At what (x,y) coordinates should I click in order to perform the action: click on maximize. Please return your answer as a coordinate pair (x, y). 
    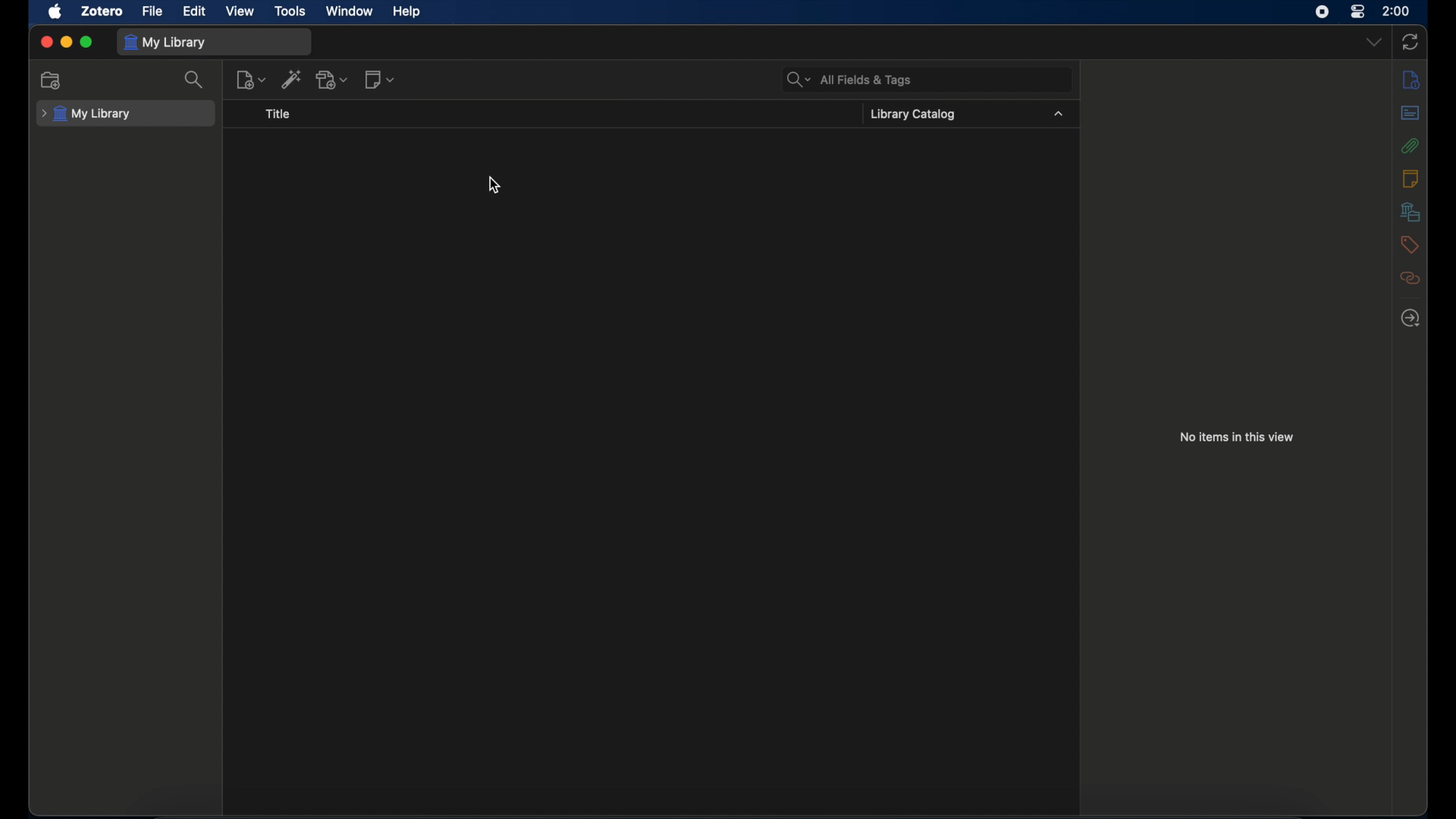
    Looking at the image, I should click on (86, 40).